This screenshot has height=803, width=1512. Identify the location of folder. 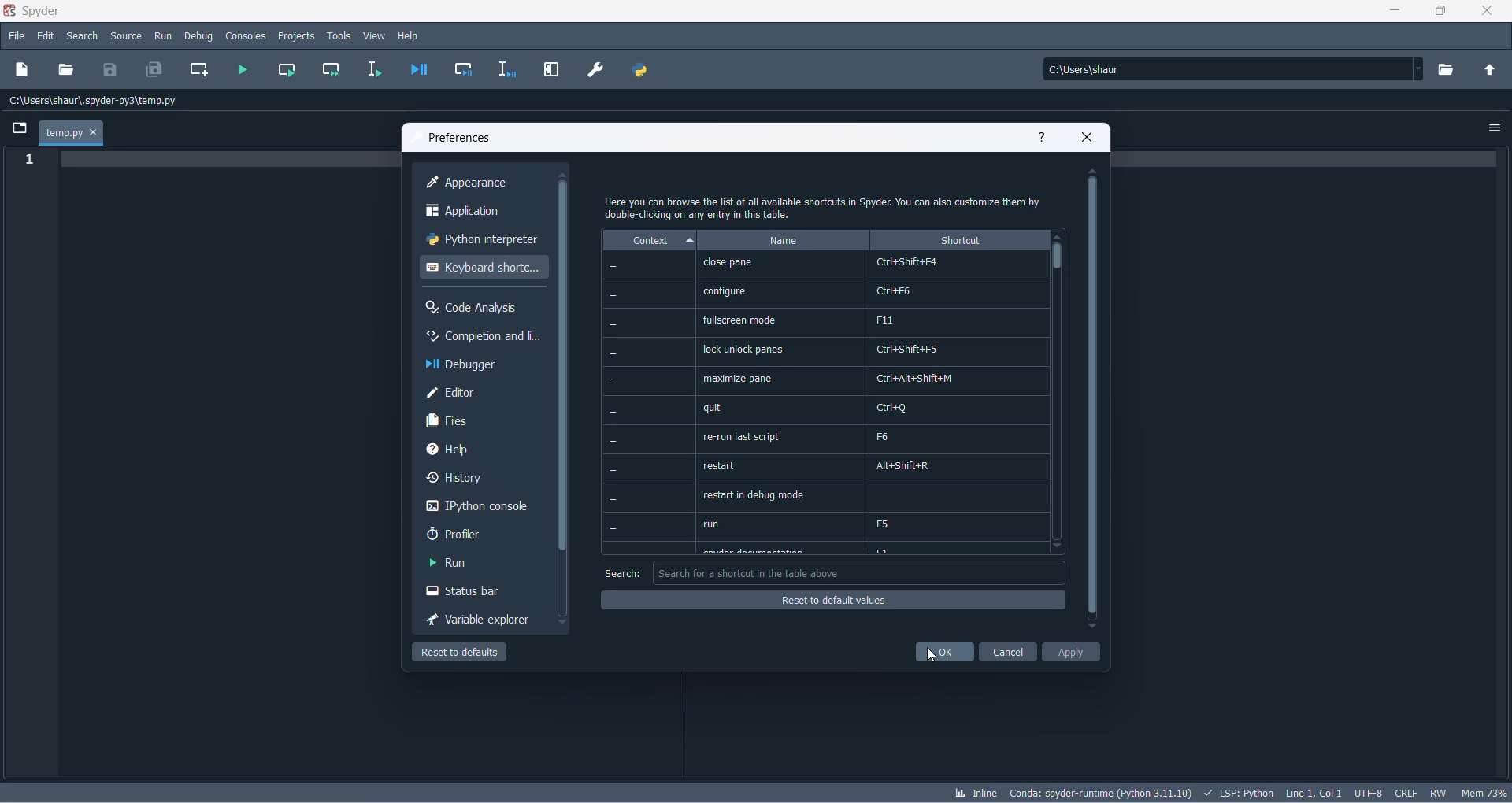
(18, 130).